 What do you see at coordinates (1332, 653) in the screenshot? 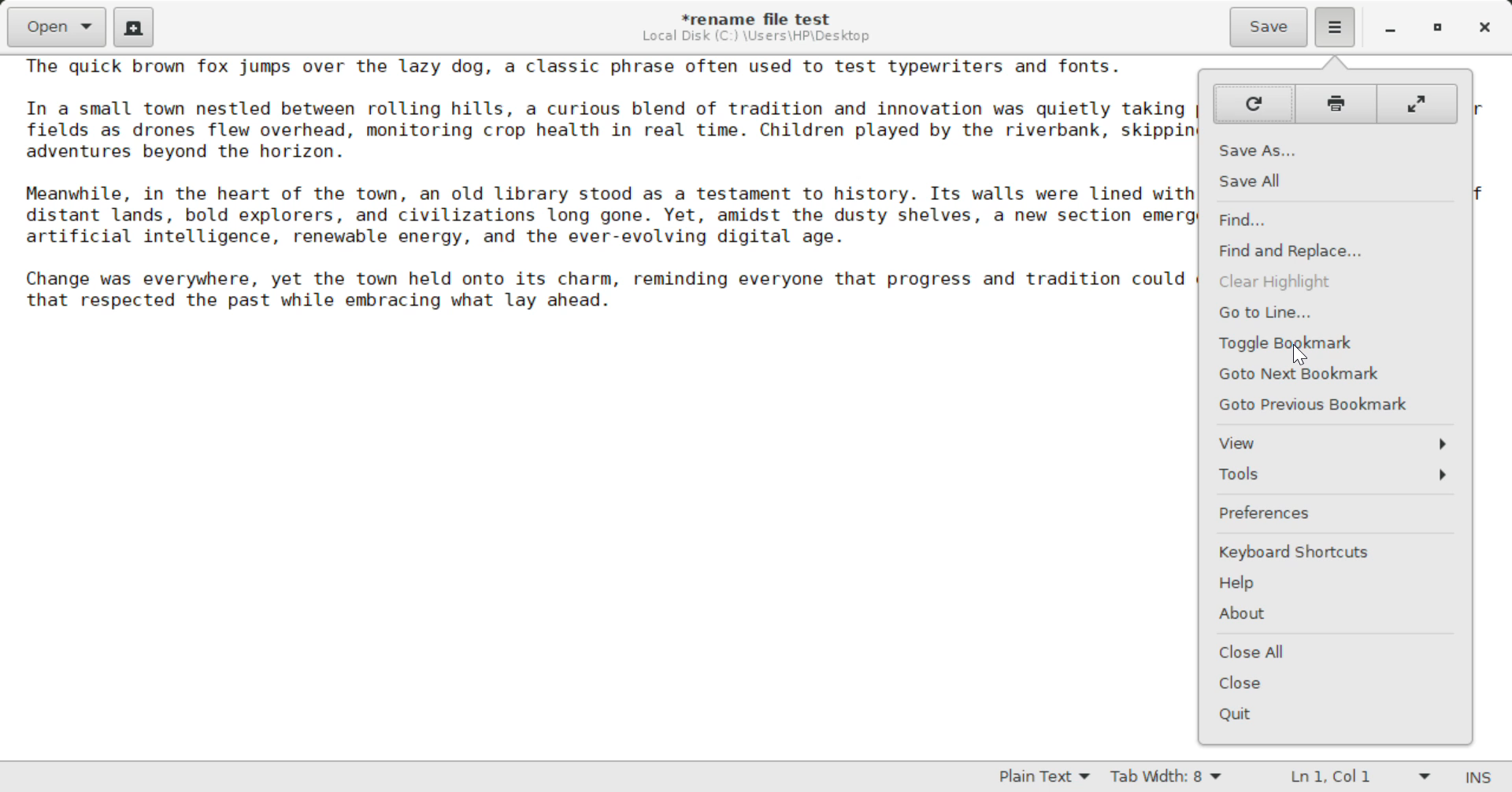
I see `Close All` at bounding box center [1332, 653].